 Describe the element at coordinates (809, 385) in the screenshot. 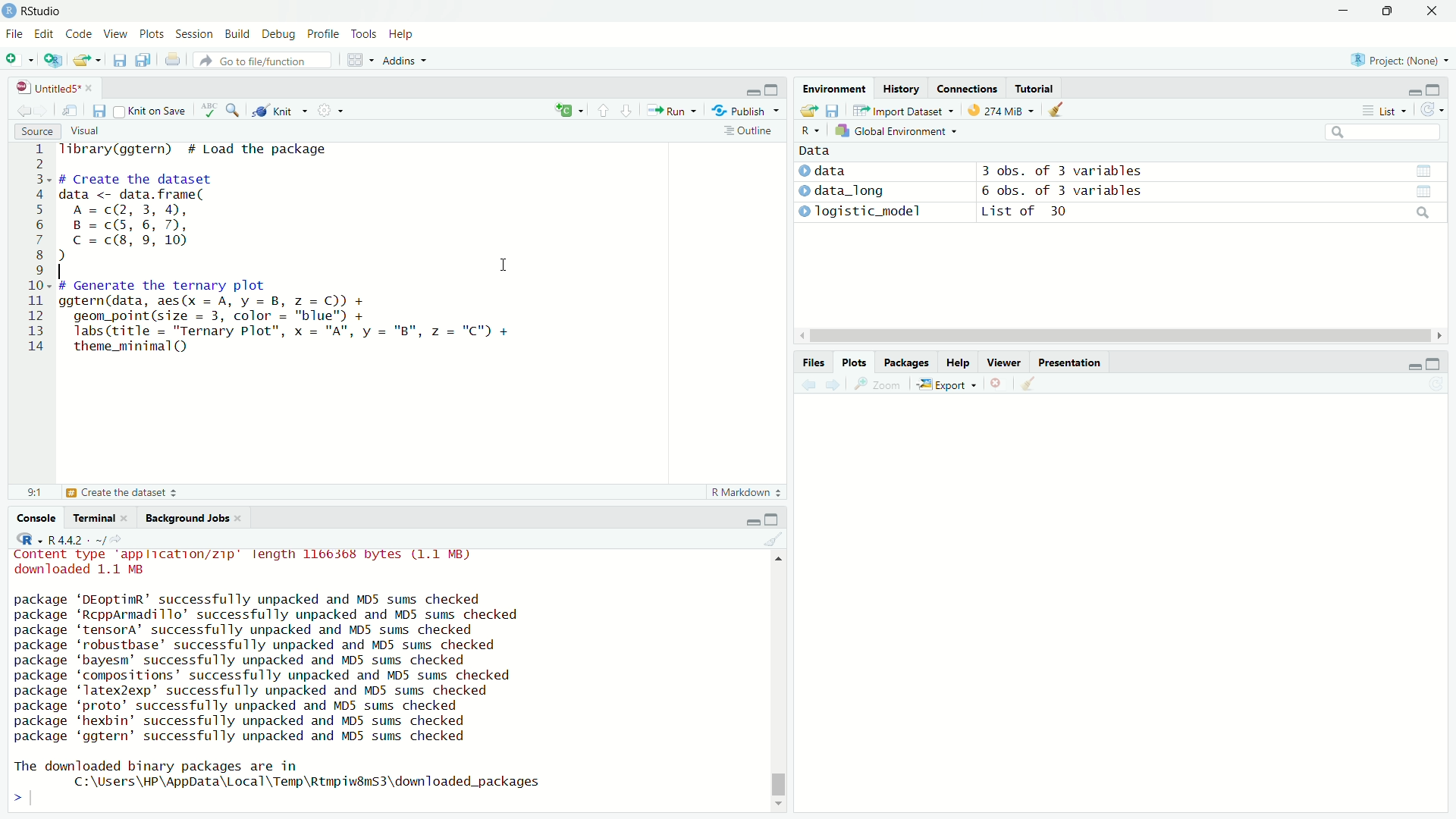

I see `back` at that location.